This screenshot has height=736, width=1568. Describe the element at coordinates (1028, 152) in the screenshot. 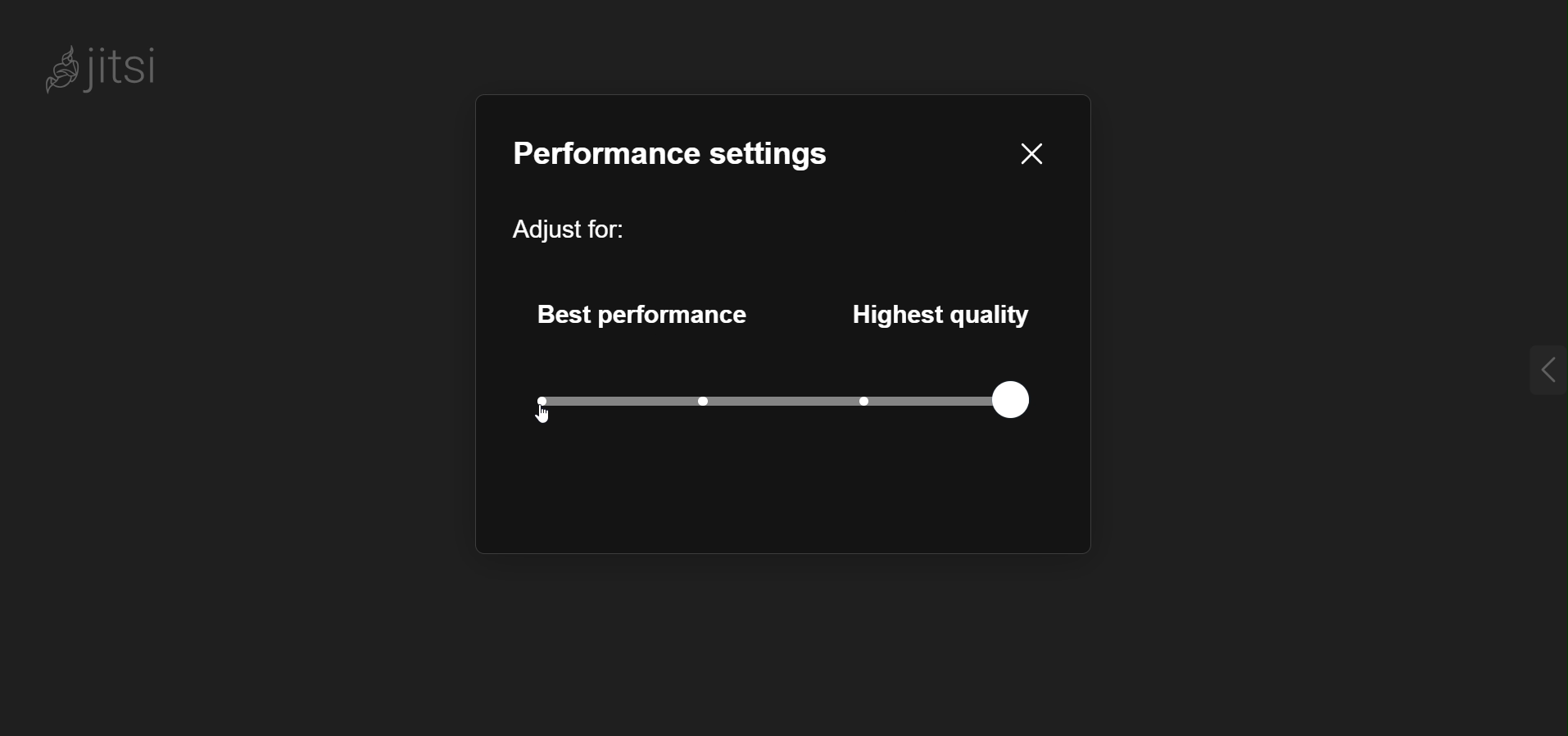

I see `close pane` at that location.